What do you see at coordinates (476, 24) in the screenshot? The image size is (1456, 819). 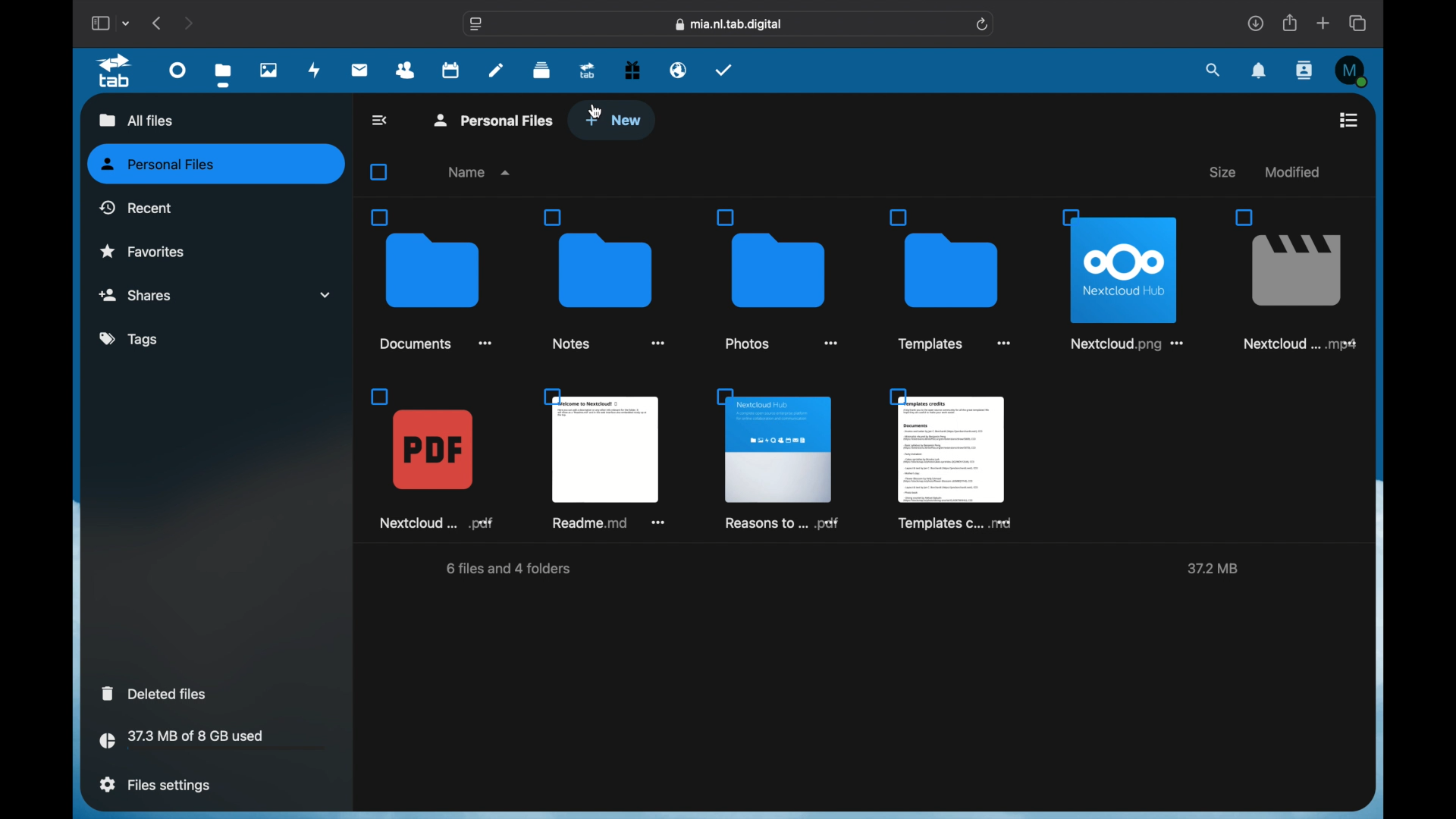 I see `website settings` at bounding box center [476, 24].